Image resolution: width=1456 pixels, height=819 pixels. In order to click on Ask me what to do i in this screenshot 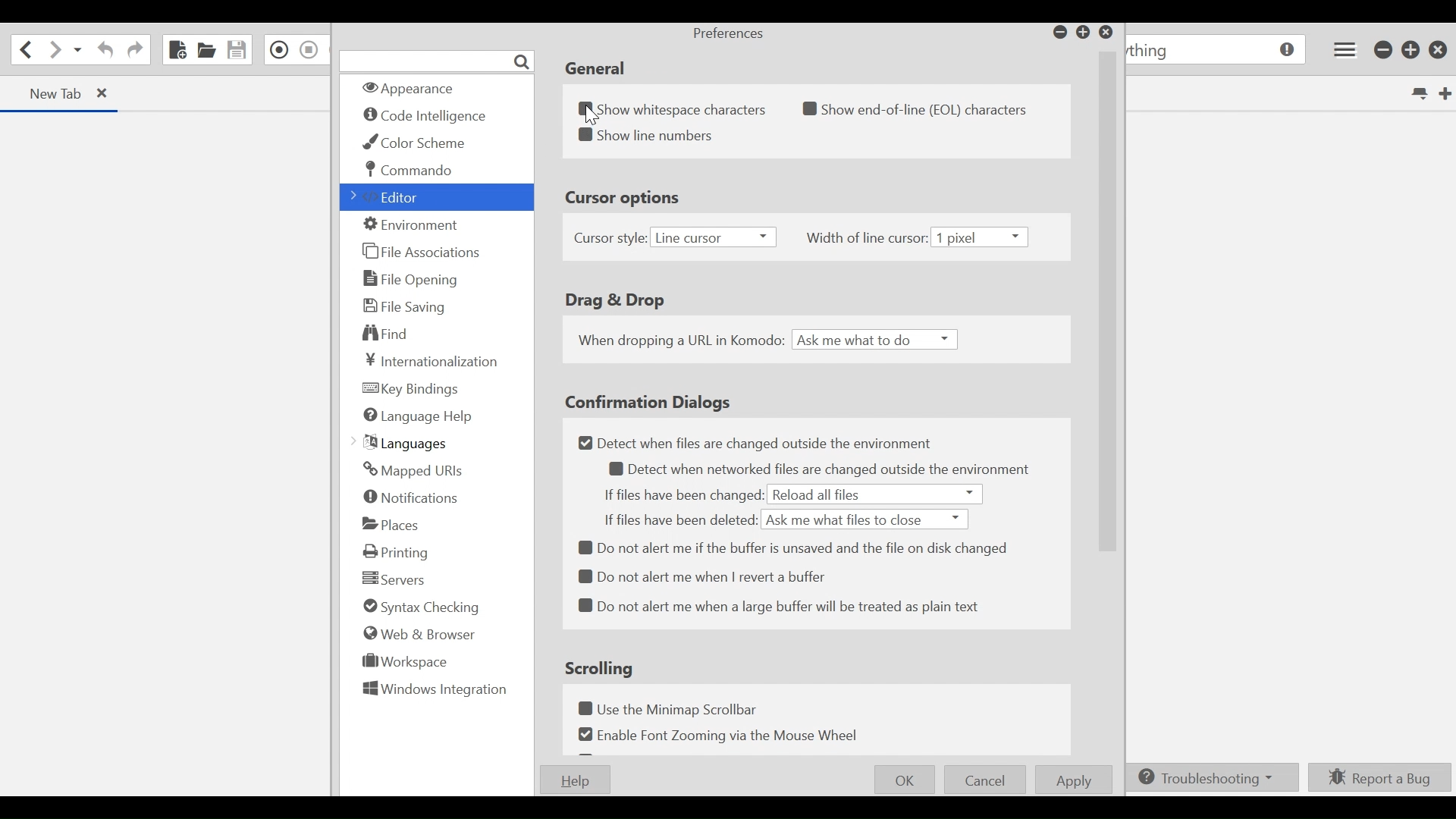, I will do `click(874, 339)`.